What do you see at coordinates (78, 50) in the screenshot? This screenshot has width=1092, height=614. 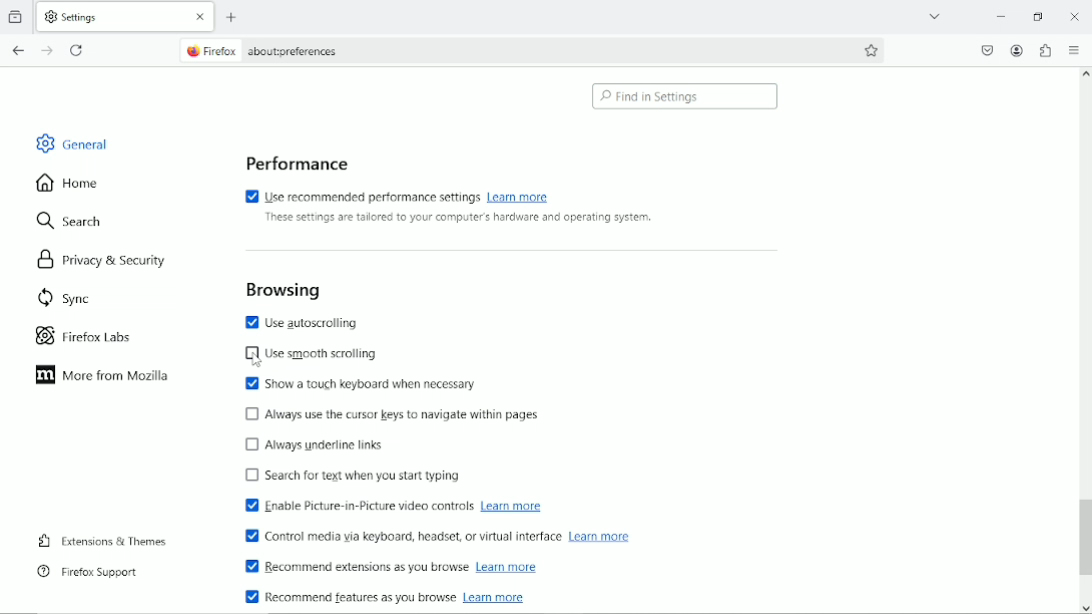 I see `Reload current page` at bounding box center [78, 50].